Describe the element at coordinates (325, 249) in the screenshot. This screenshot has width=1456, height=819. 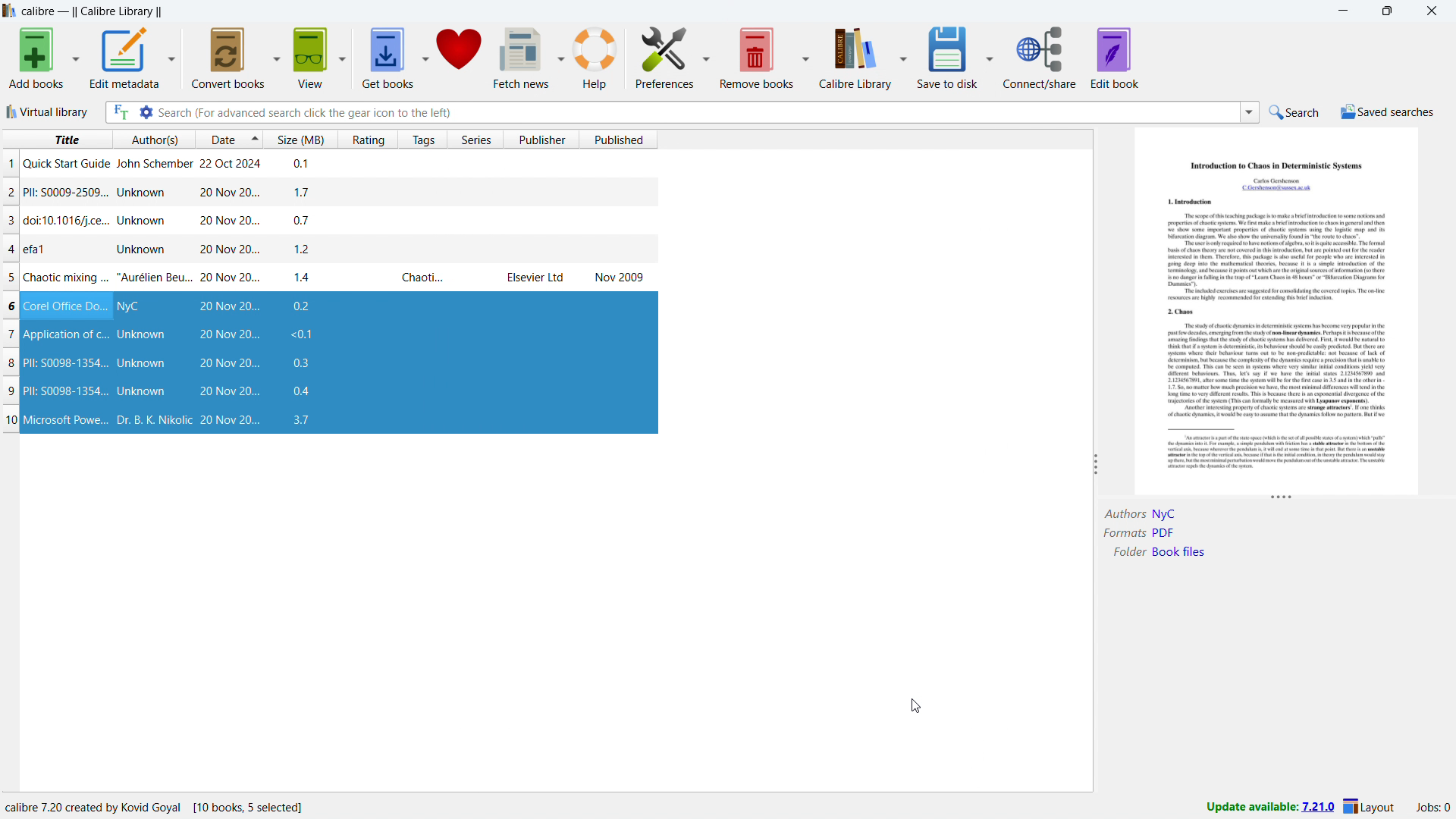
I see `single book entry` at that location.